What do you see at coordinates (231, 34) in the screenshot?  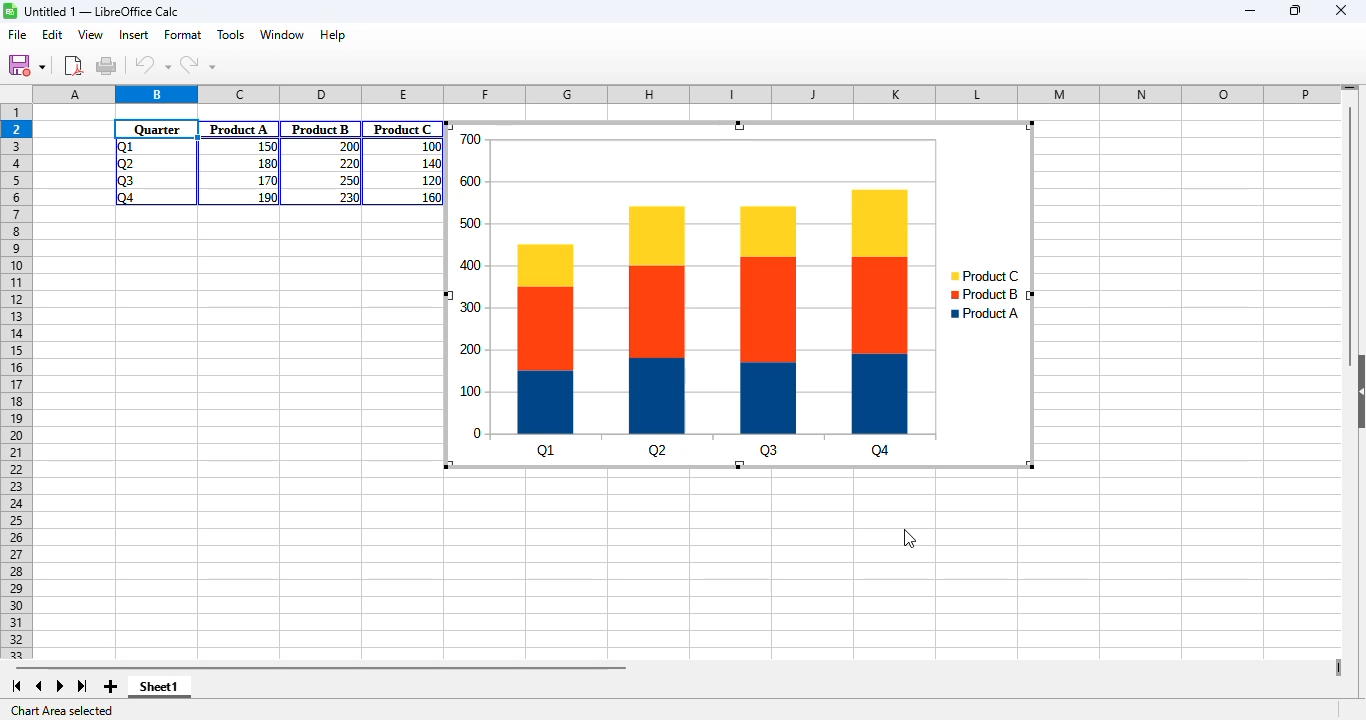 I see `tools` at bounding box center [231, 34].